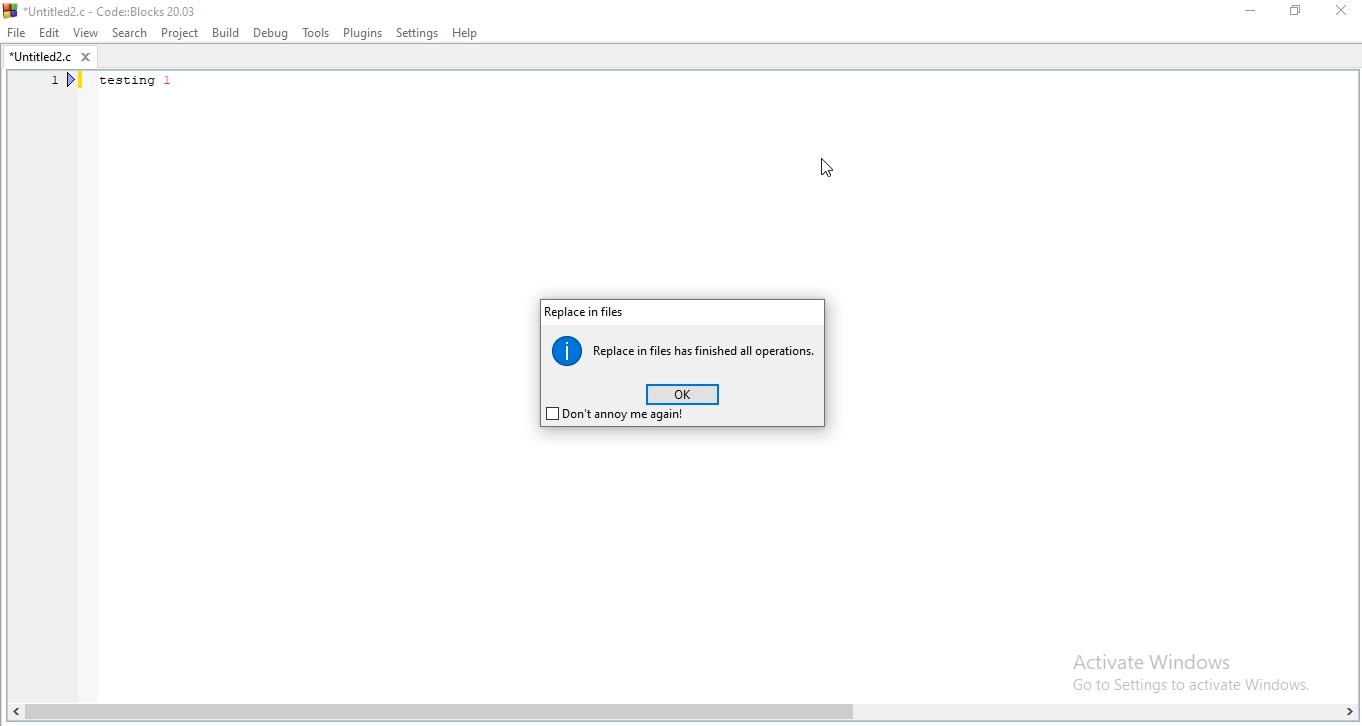 The image size is (1362, 726). What do you see at coordinates (49, 33) in the screenshot?
I see `Edit ` at bounding box center [49, 33].